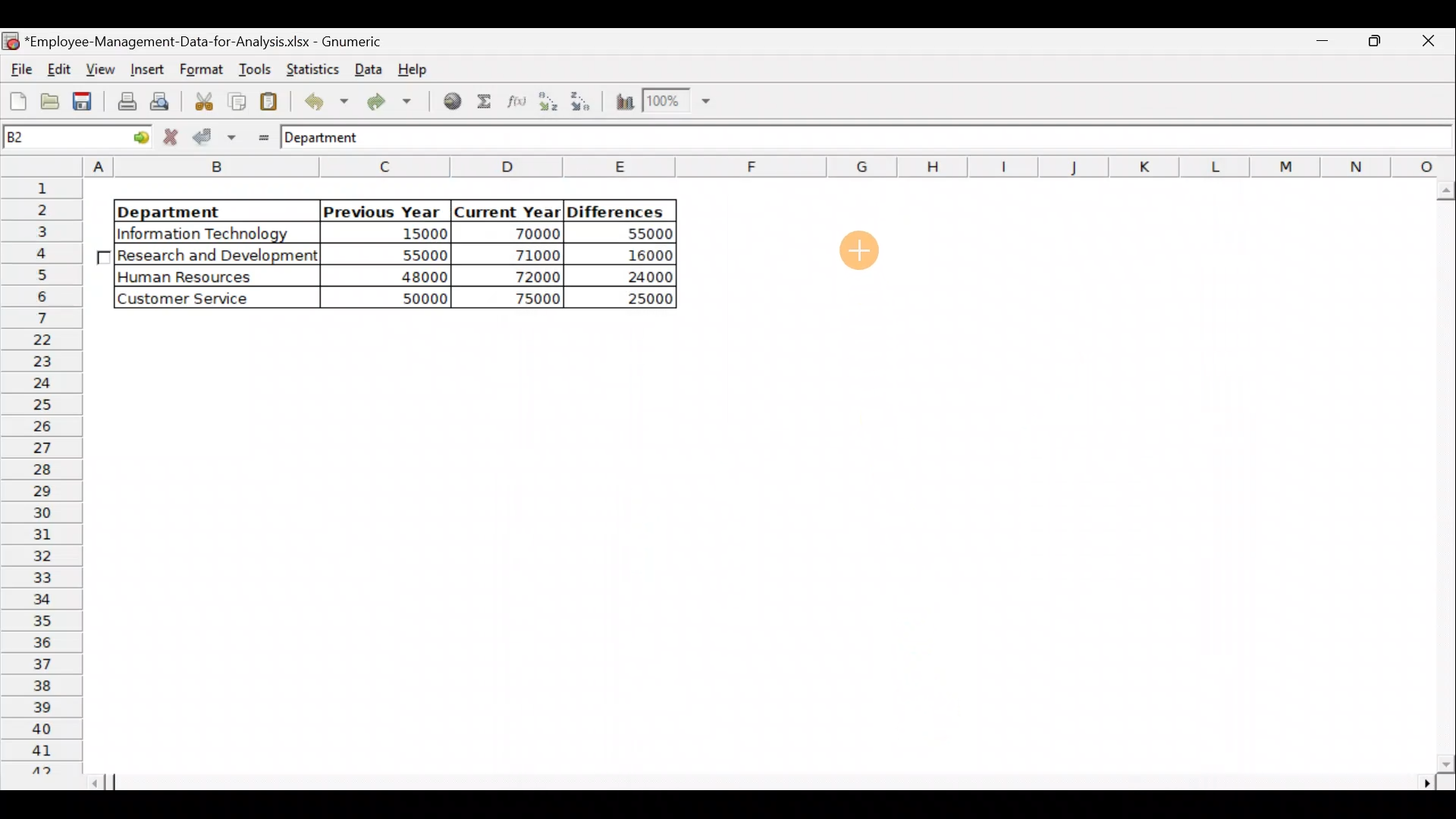 The height and width of the screenshot is (819, 1456). Describe the element at coordinates (517, 300) in the screenshot. I see `75000` at that location.